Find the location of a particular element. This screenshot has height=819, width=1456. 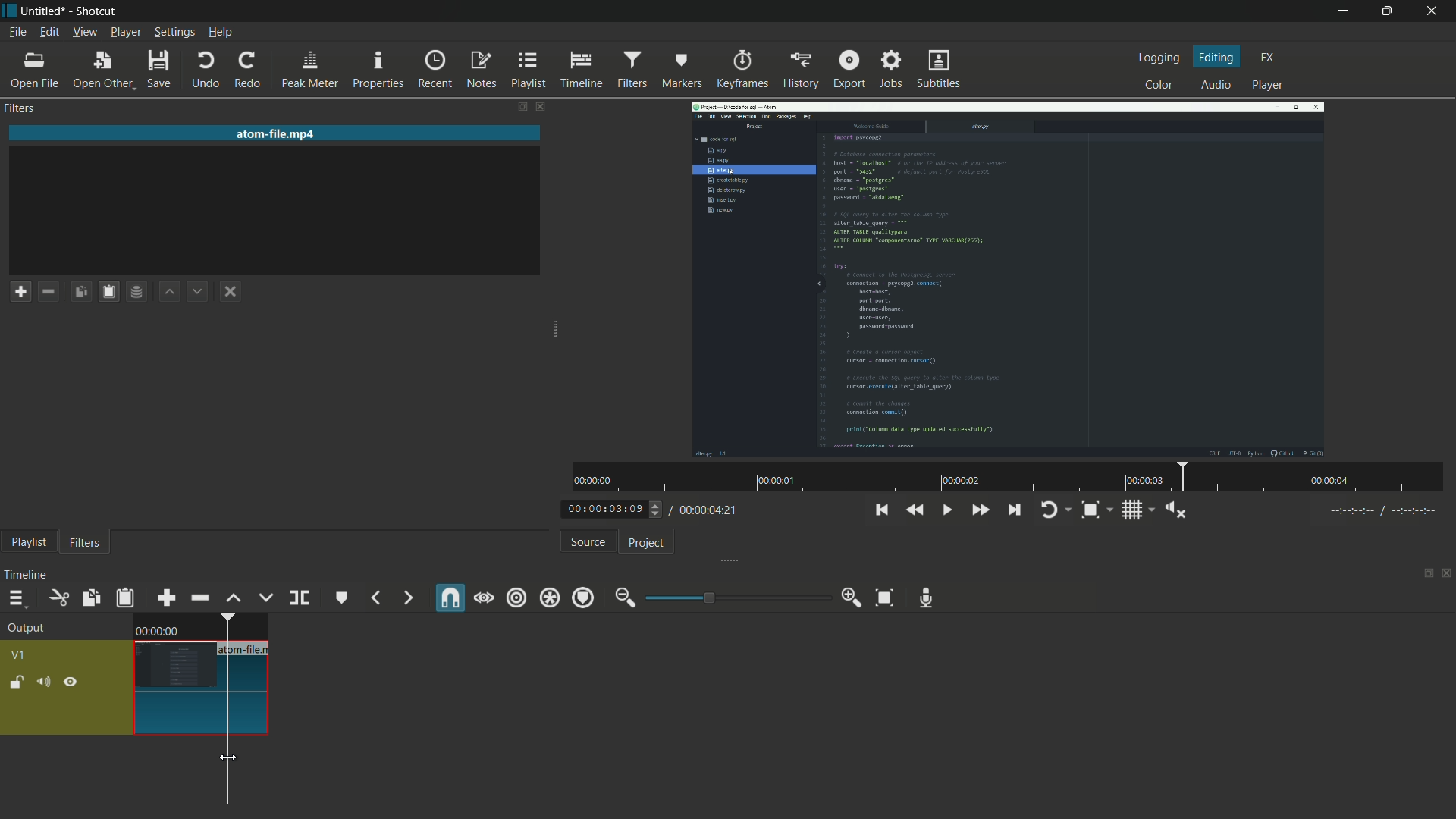

editing is located at coordinates (1217, 57).